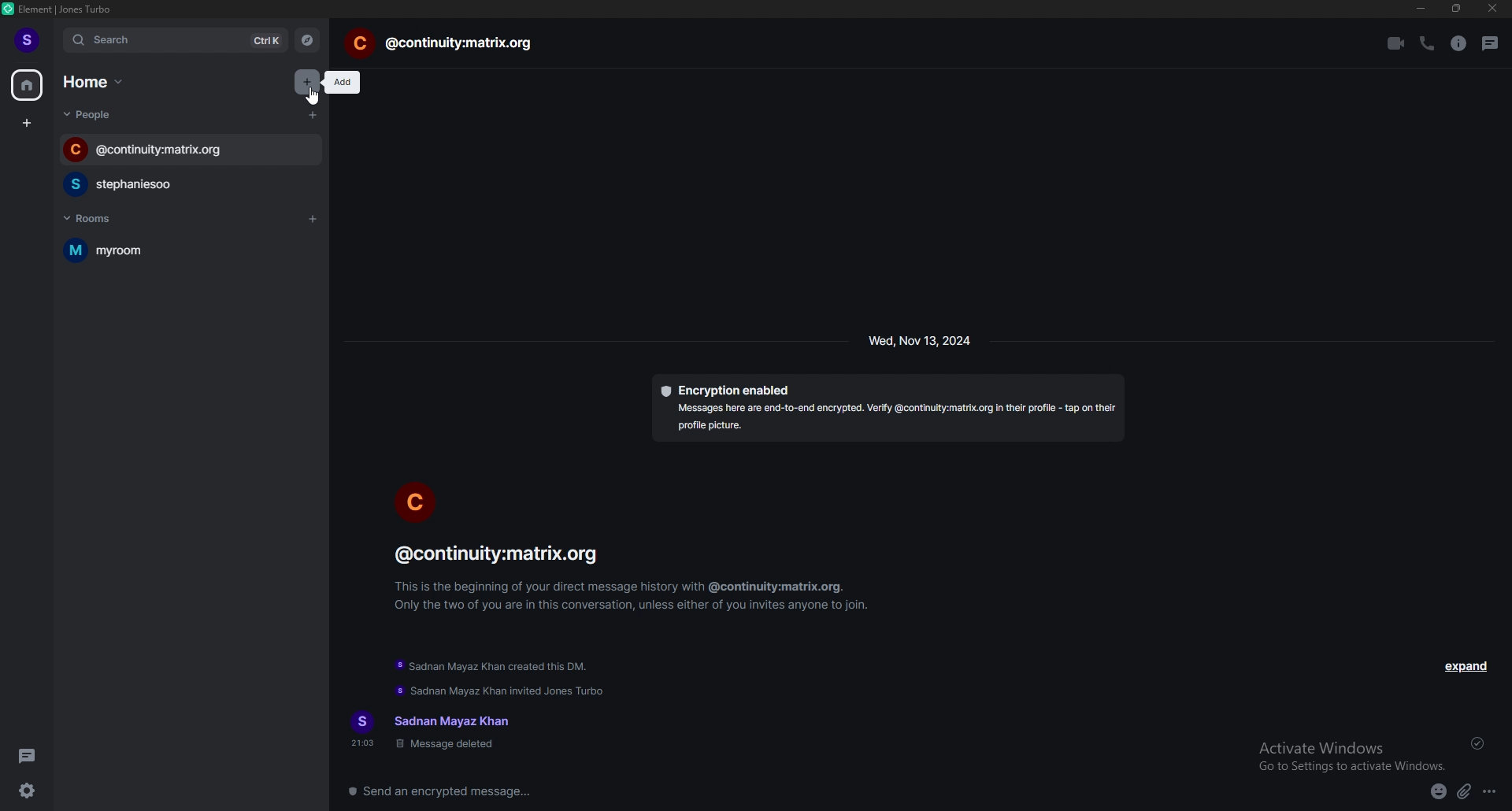 The height and width of the screenshot is (811, 1512). Describe the element at coordinates (416, 500) in the screenshot. I see `profile photo` at that location.